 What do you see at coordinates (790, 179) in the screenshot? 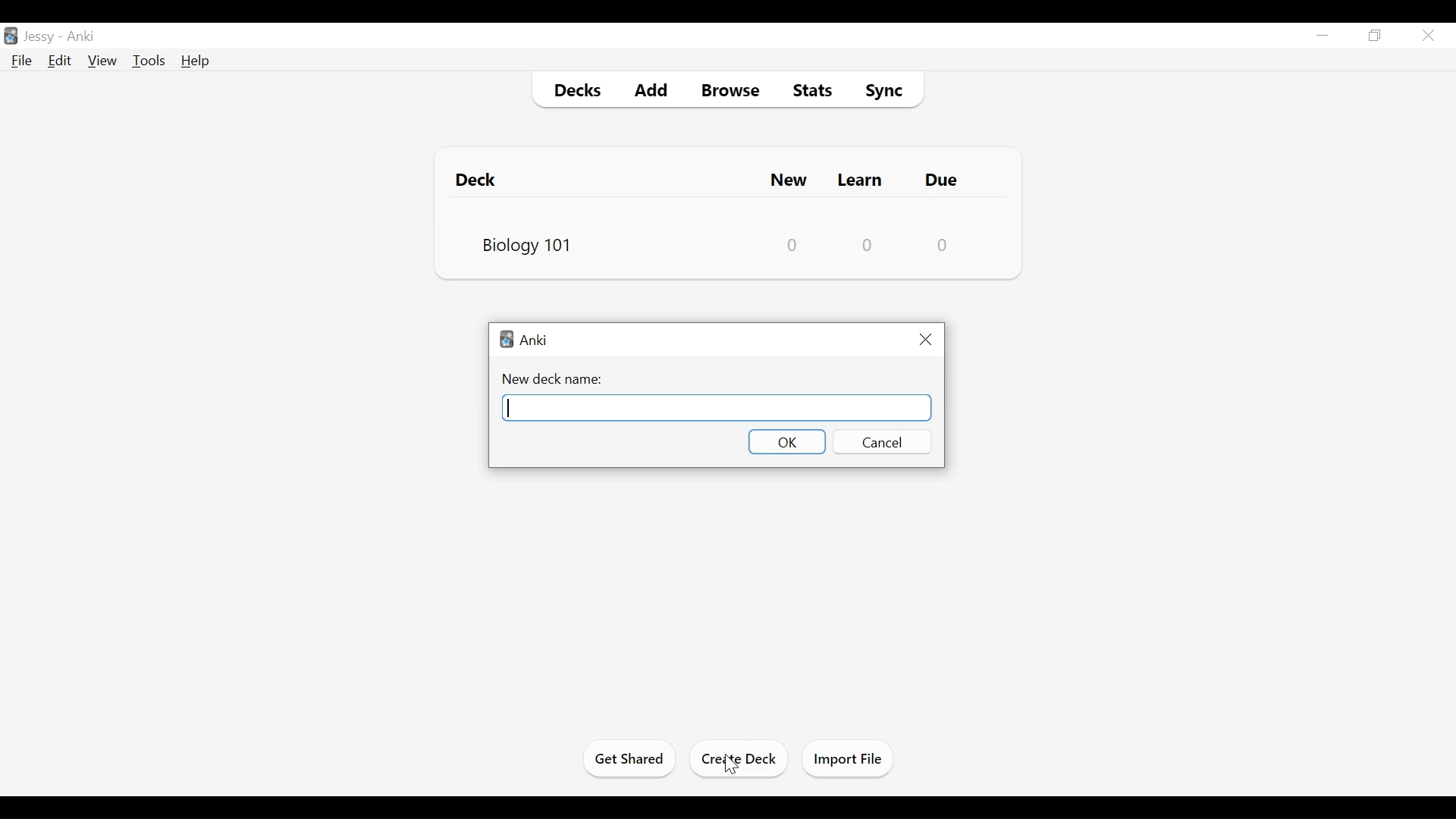
I see `New Cards` at bounding box center [790, 179].